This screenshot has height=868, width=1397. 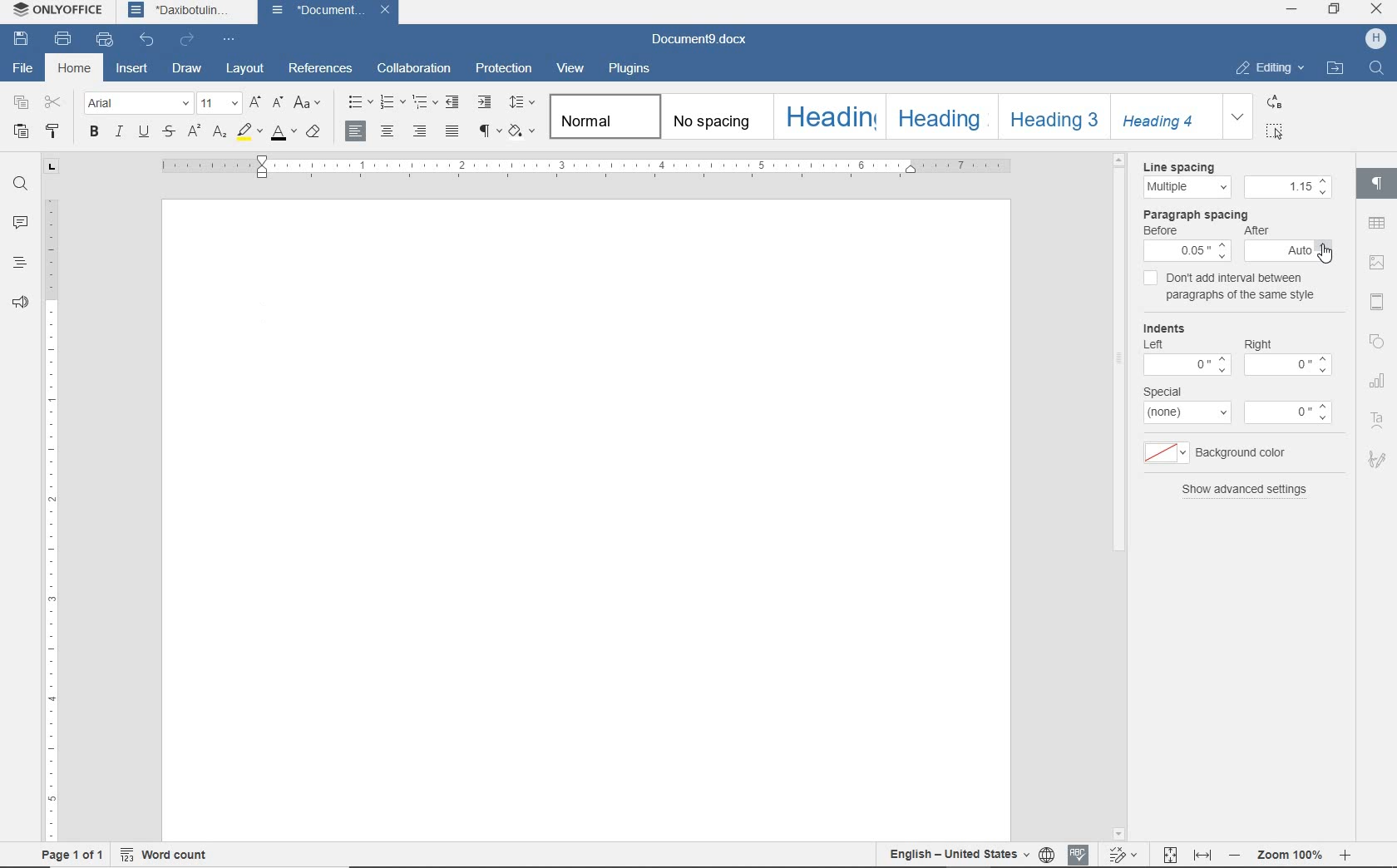 I want to click on bullets, so click(x=358, y=105).